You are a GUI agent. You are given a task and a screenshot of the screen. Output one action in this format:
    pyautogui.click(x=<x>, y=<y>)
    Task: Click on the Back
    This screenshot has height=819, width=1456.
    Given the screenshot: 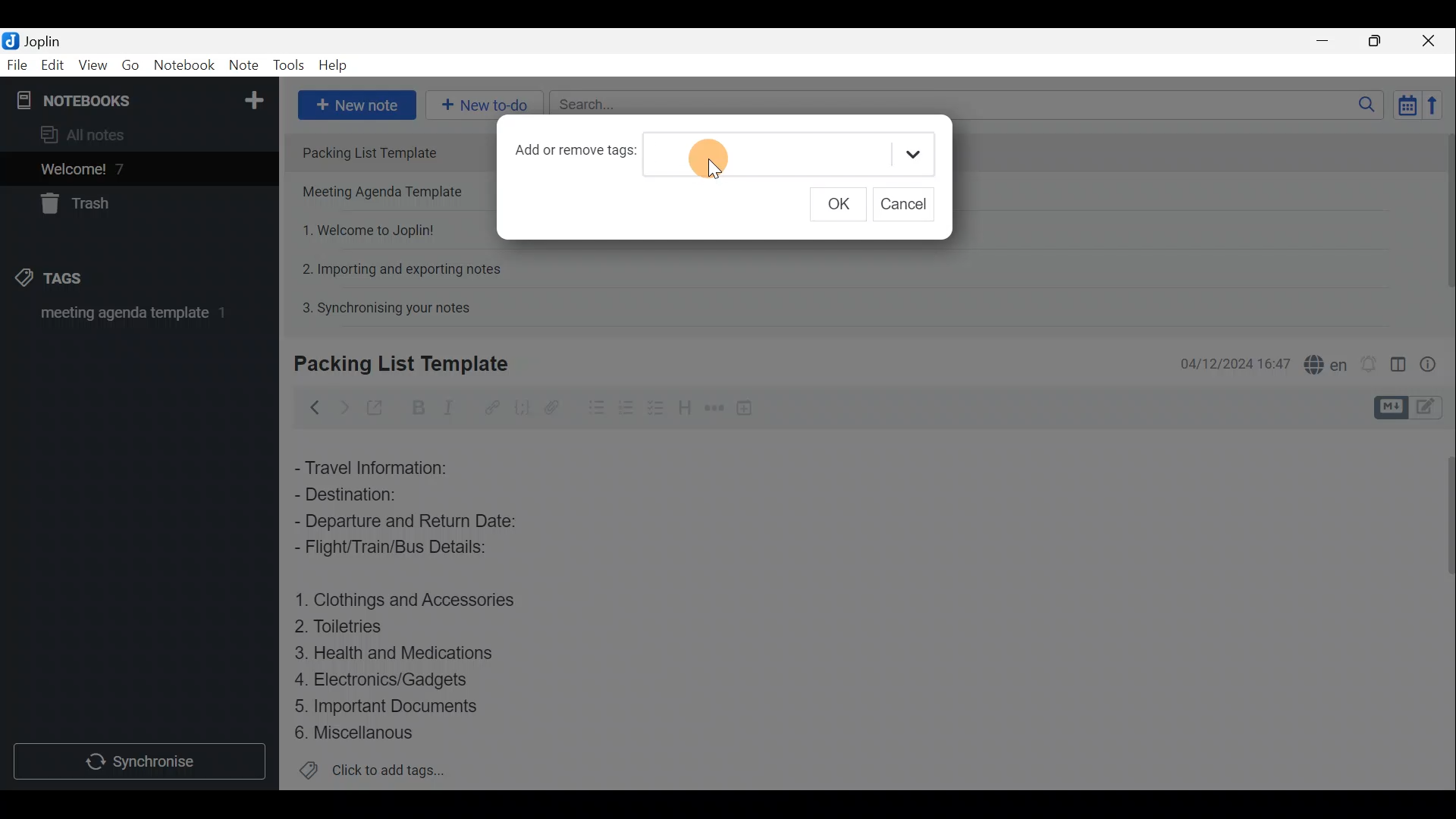 What is the action you would take?
    pyautogui.click(x=312, y=407)
    